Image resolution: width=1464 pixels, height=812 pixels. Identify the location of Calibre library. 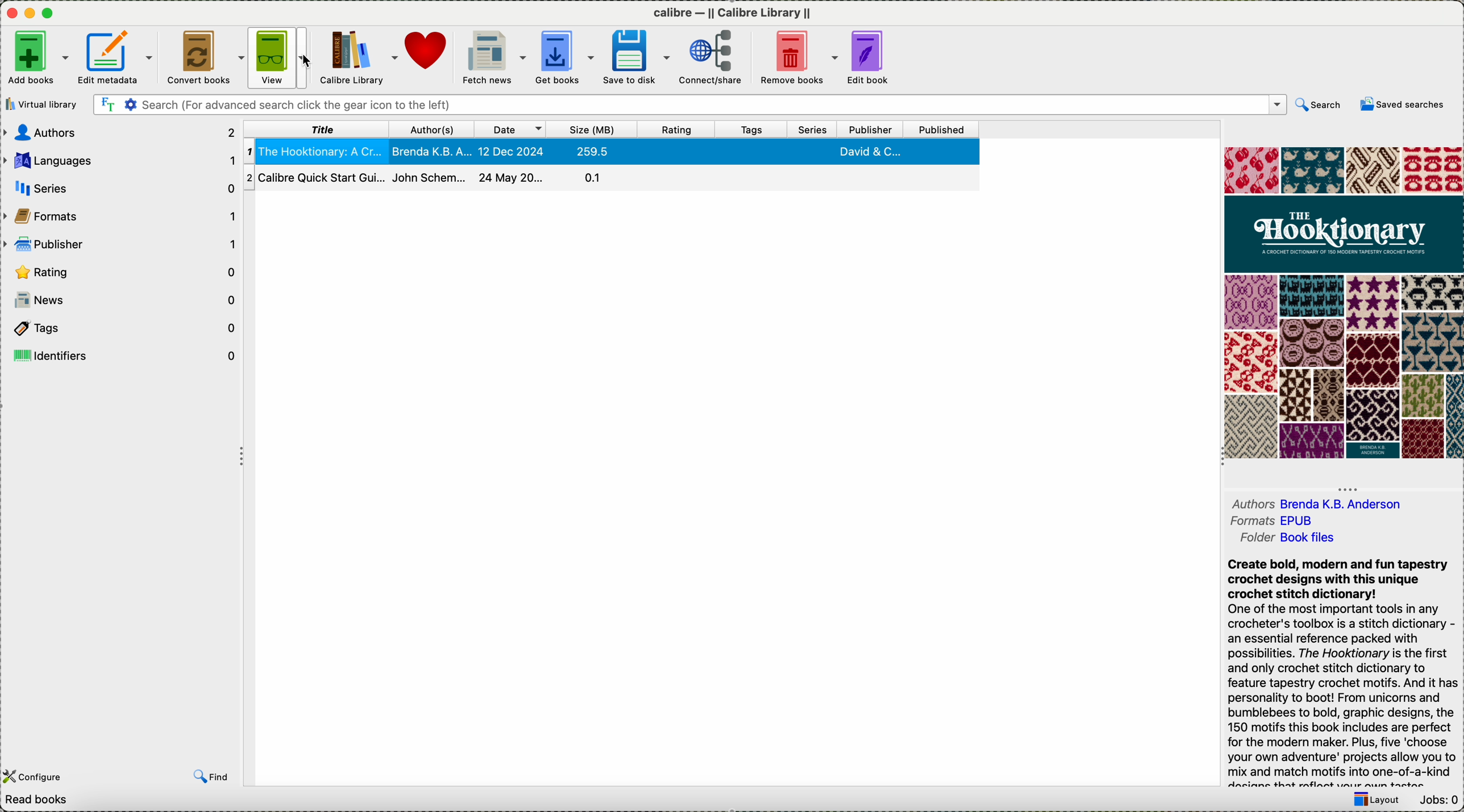
(357, 56).